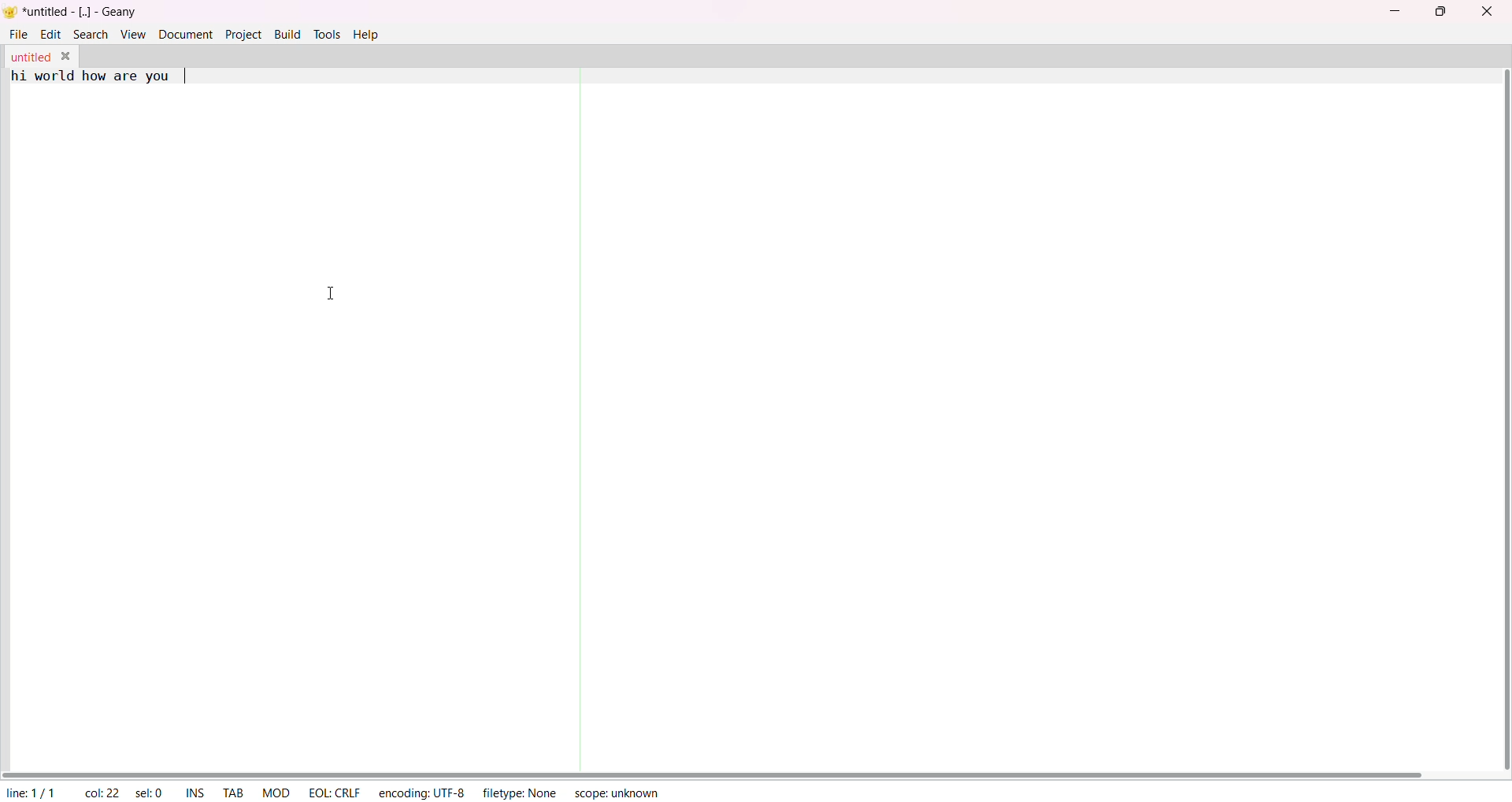  I want to click on build, so click(286, 33).